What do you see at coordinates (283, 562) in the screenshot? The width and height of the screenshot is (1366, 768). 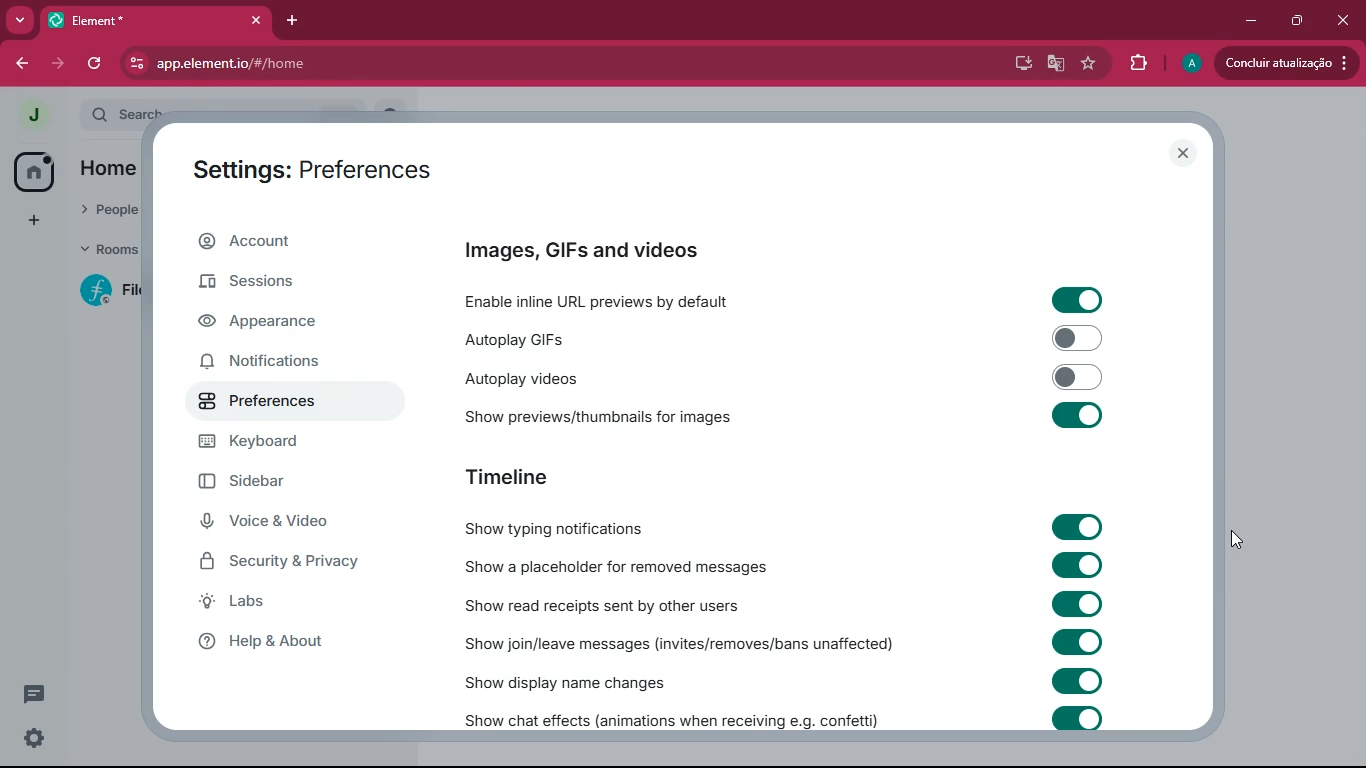 I see `security & privacy` at bounding box center [283, 562].